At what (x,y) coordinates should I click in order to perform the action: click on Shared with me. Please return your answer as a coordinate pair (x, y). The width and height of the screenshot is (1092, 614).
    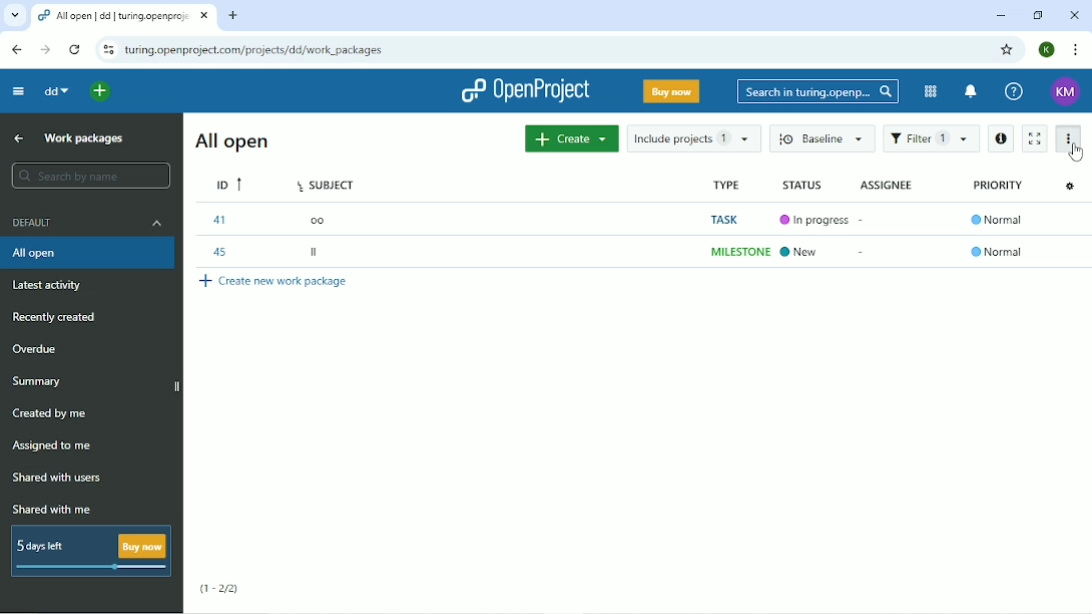
    Looking at the image, I should click on (53, 509).